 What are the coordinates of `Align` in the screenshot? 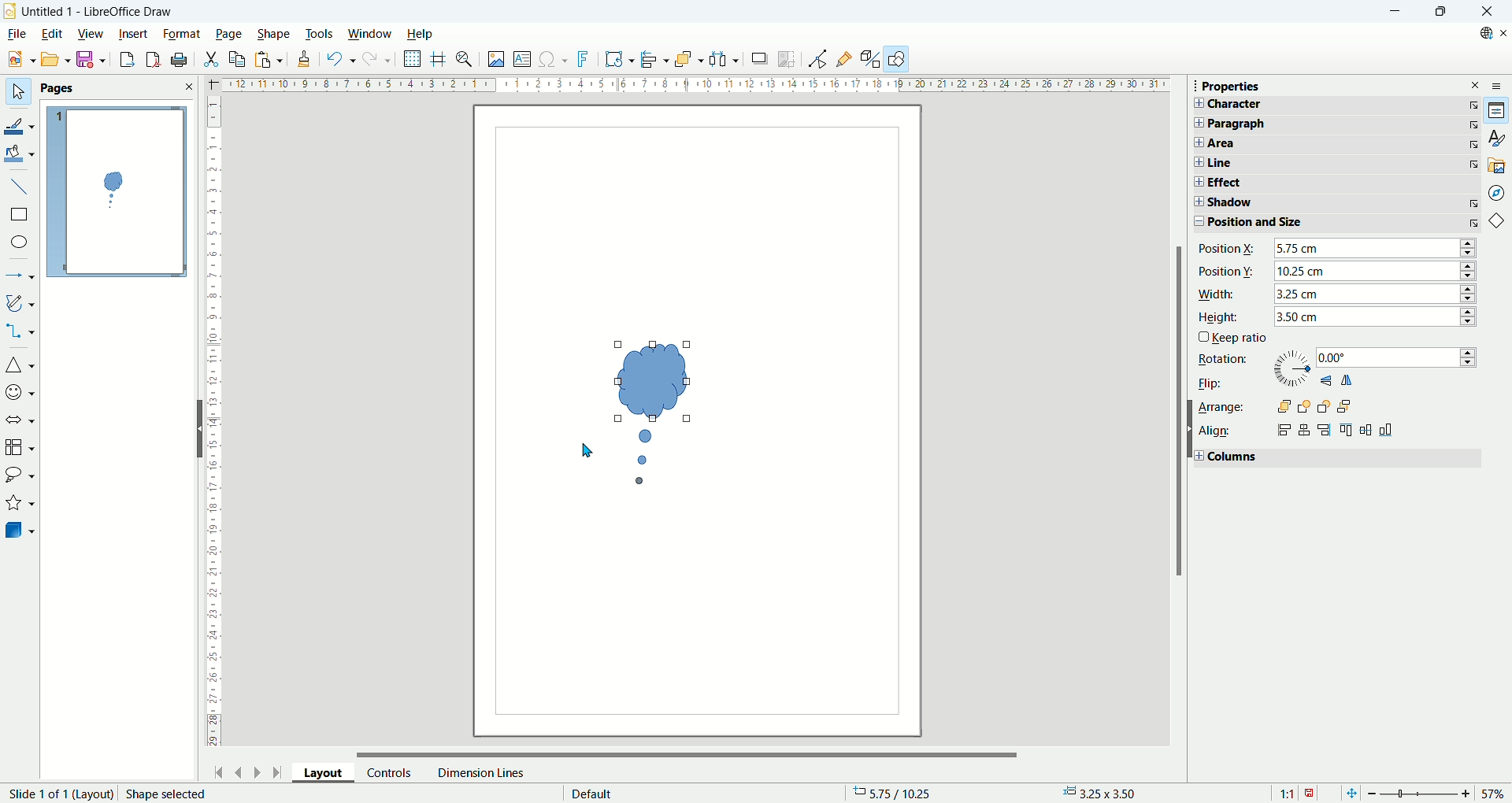 It's located at (1217, 432).